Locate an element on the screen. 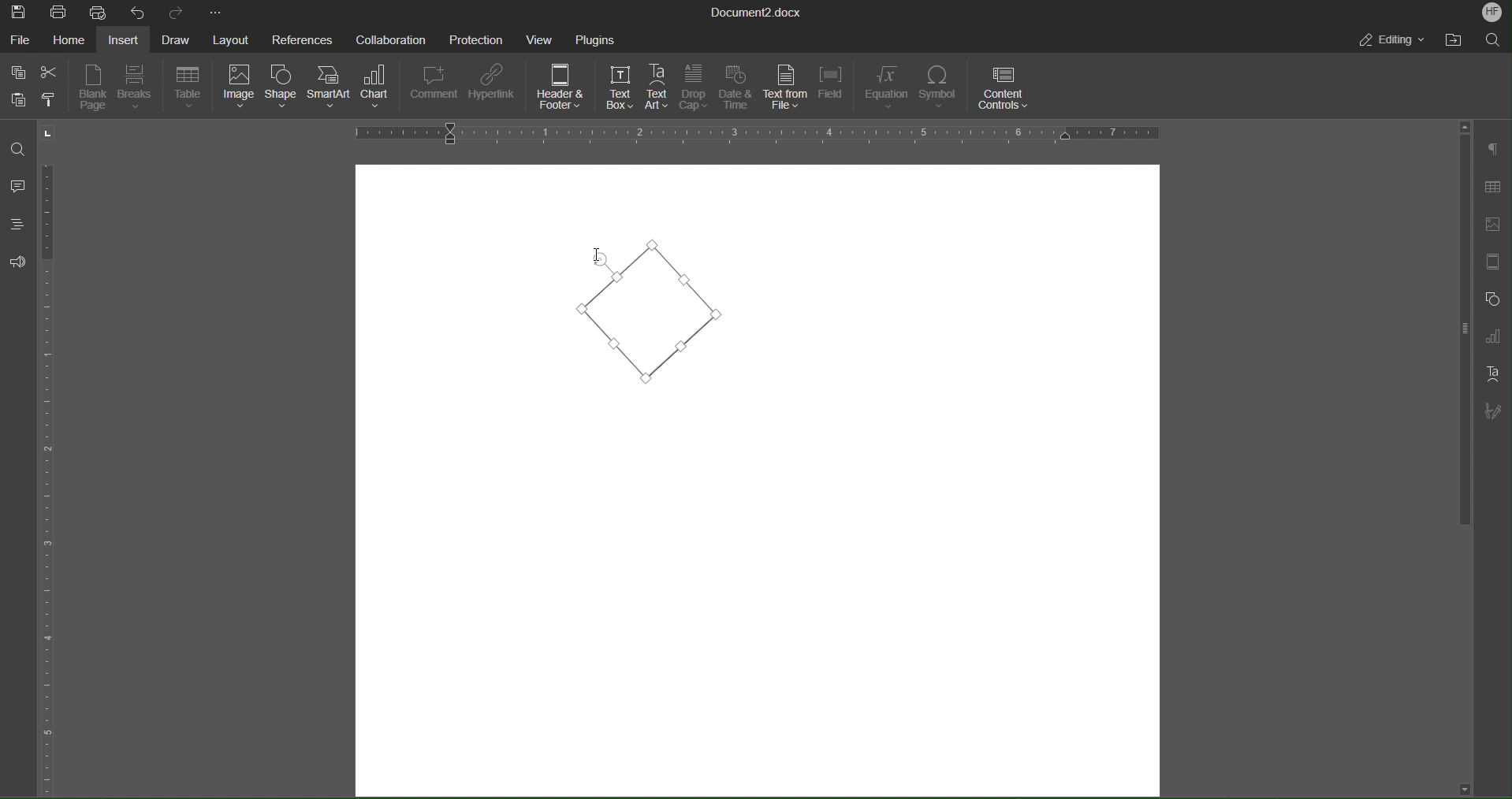 The height and width of the screenshot is (799, 1512). More is located at coordinates (216, 11).